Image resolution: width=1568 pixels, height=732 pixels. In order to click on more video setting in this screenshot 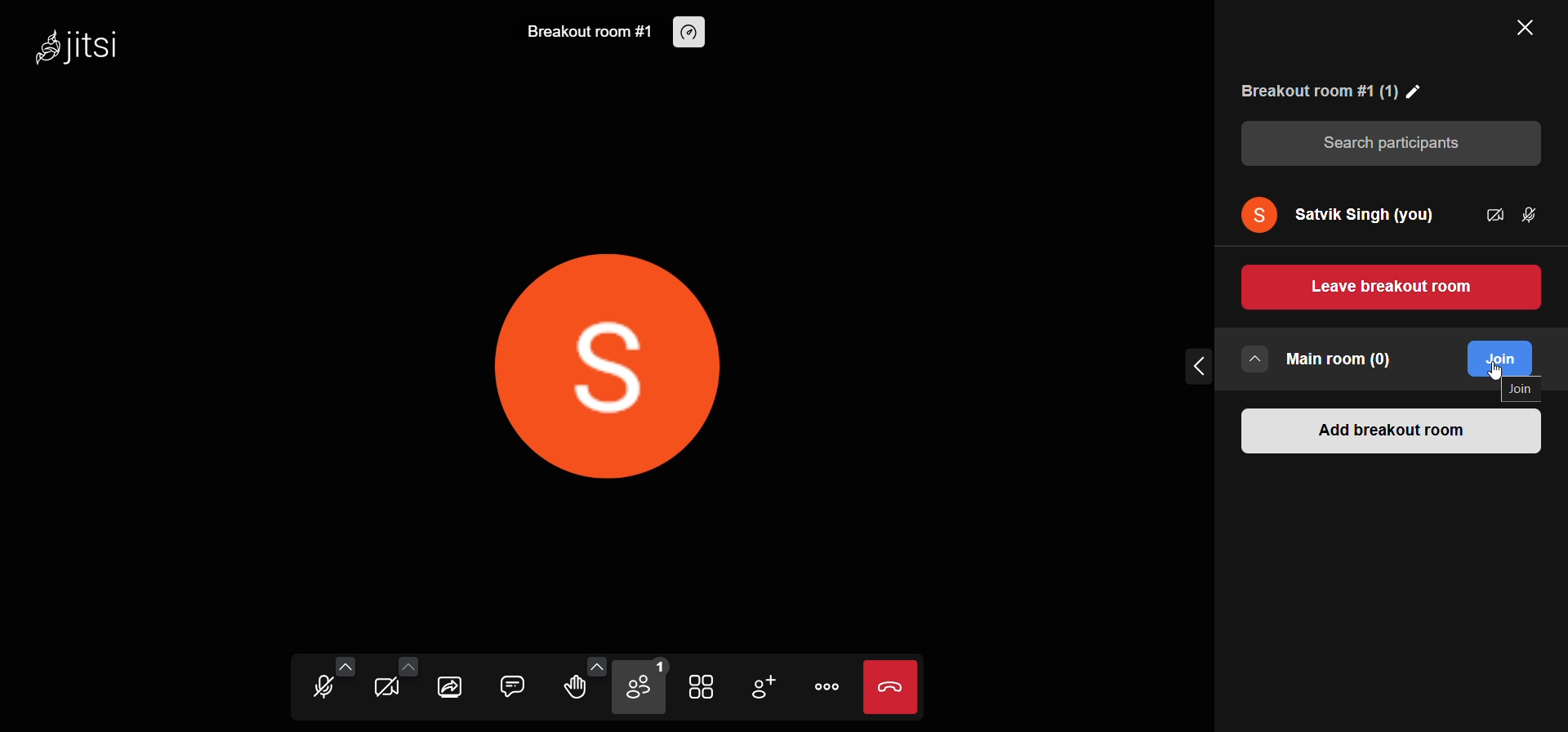, I will do `click(407, 663)`.